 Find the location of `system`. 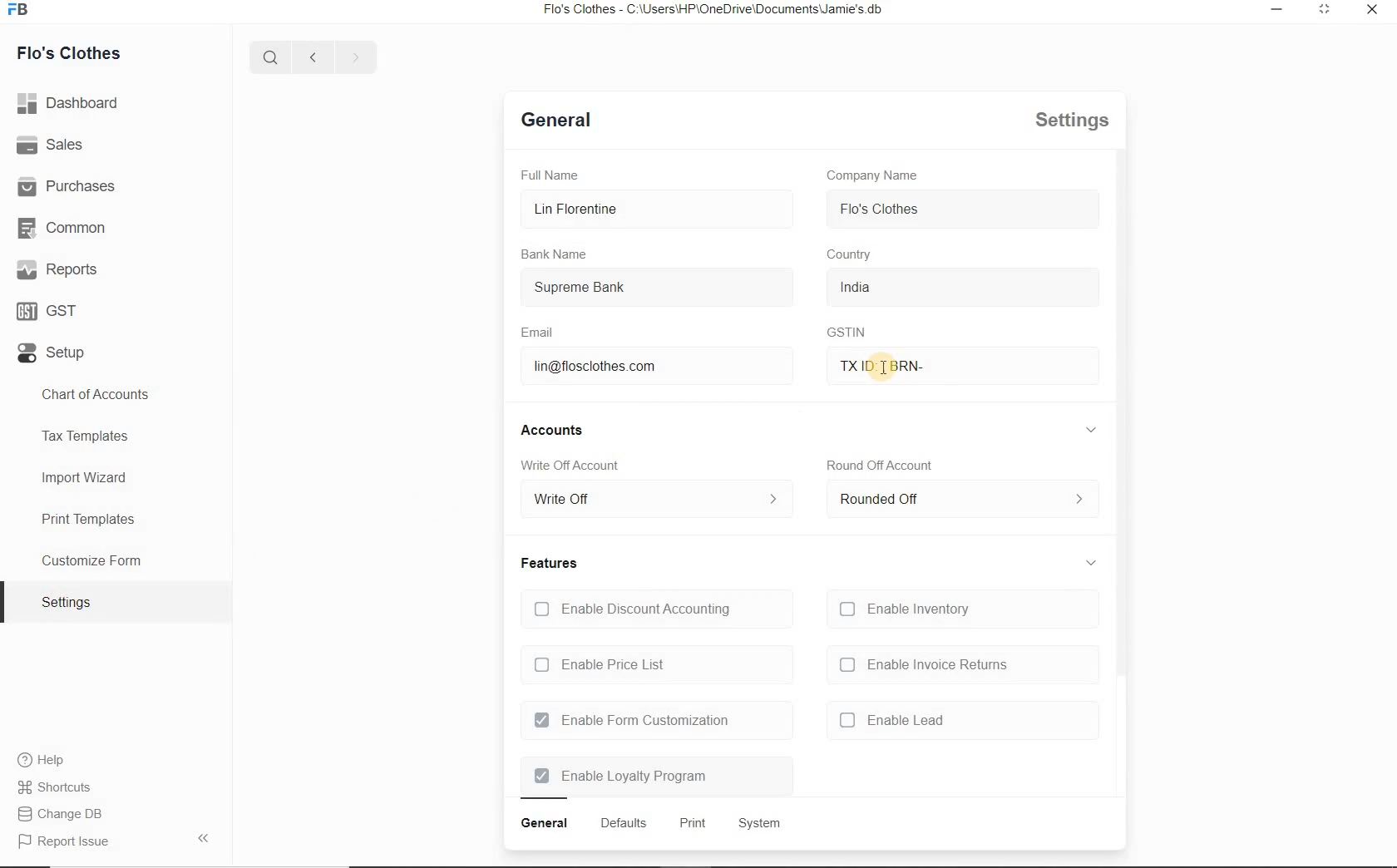

system is located at coordinates (758, 822).